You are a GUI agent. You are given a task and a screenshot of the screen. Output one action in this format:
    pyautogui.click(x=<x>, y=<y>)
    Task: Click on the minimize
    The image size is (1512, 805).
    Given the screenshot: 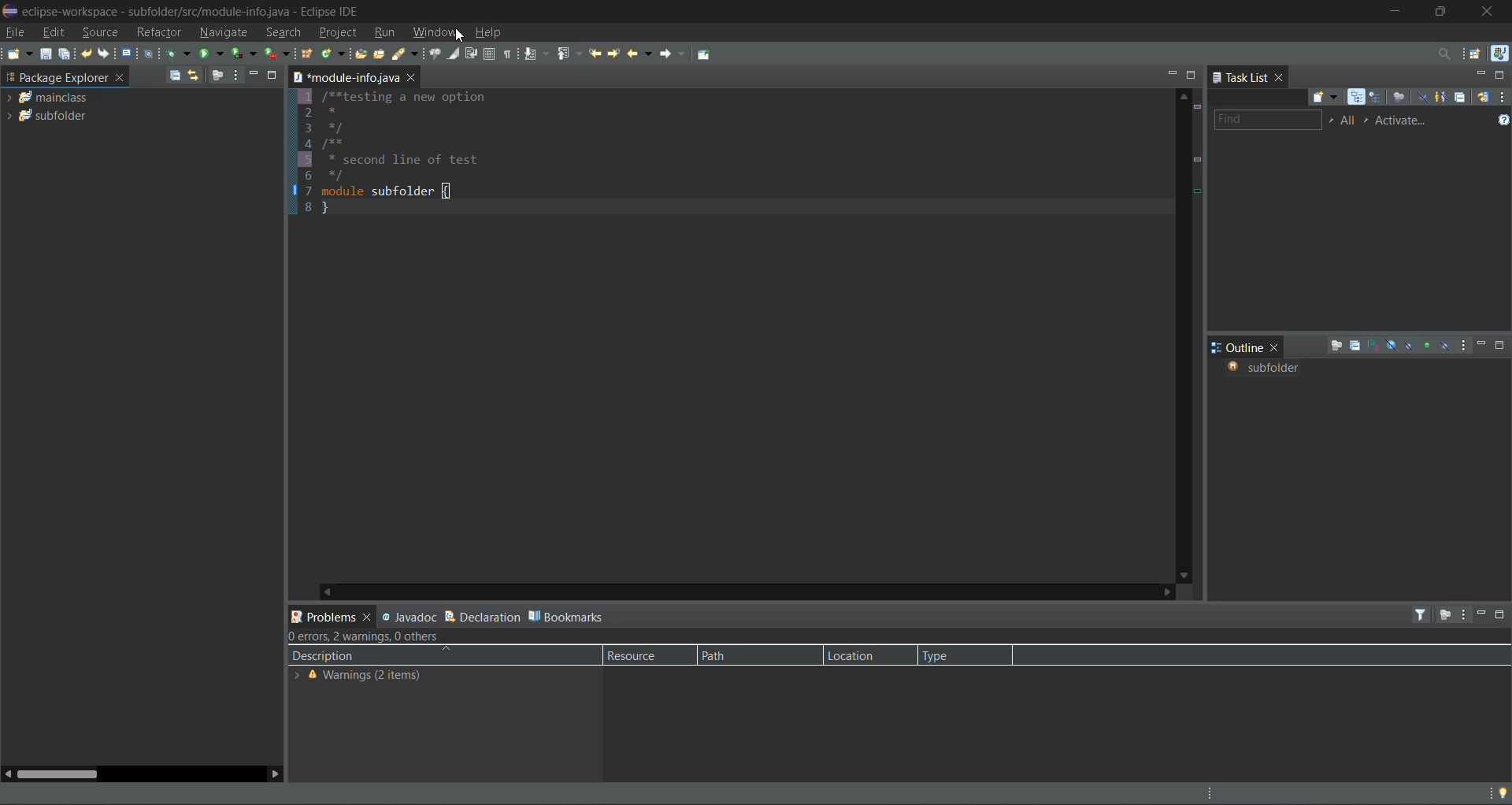 What is the action you would take?
    pyautogui.click(x=1482, y=76)
    